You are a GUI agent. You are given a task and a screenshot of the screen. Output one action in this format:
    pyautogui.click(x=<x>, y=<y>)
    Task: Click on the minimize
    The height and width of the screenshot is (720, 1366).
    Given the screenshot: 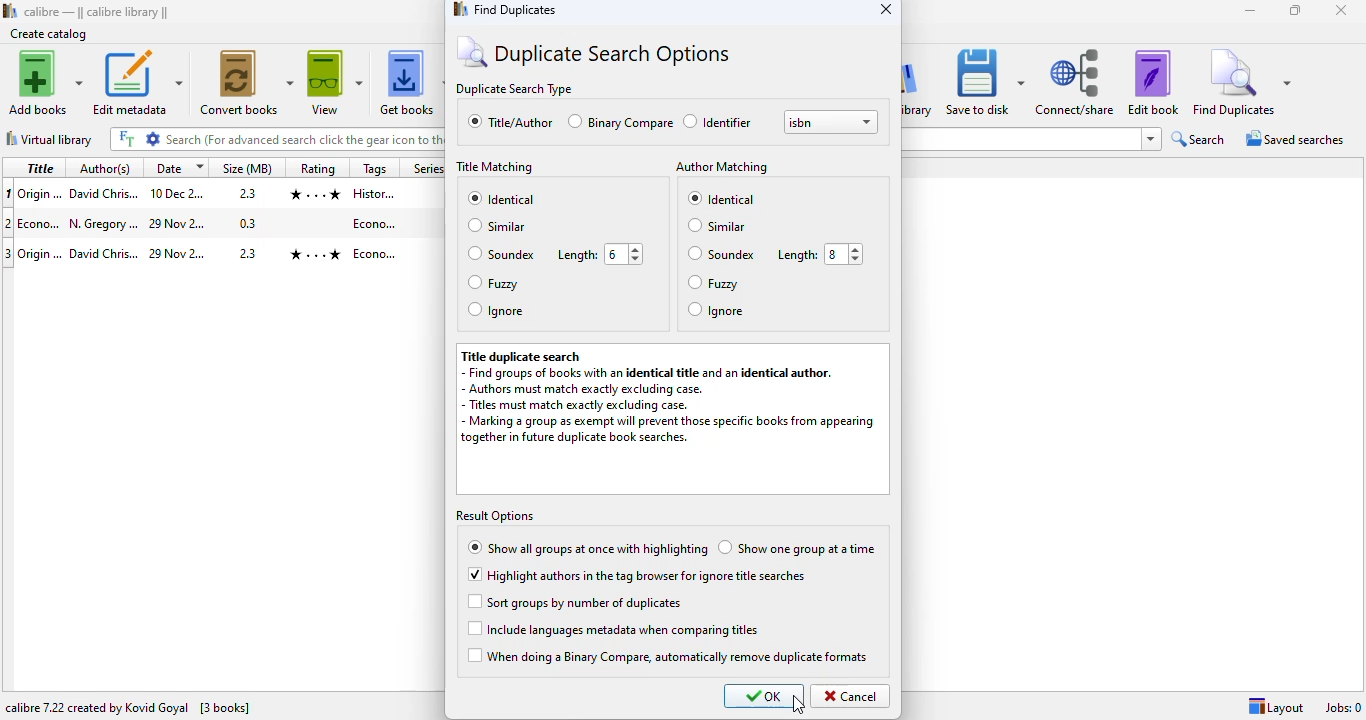 What is the action you would take?
    pyautogui.click(x=1251, y=11)
    